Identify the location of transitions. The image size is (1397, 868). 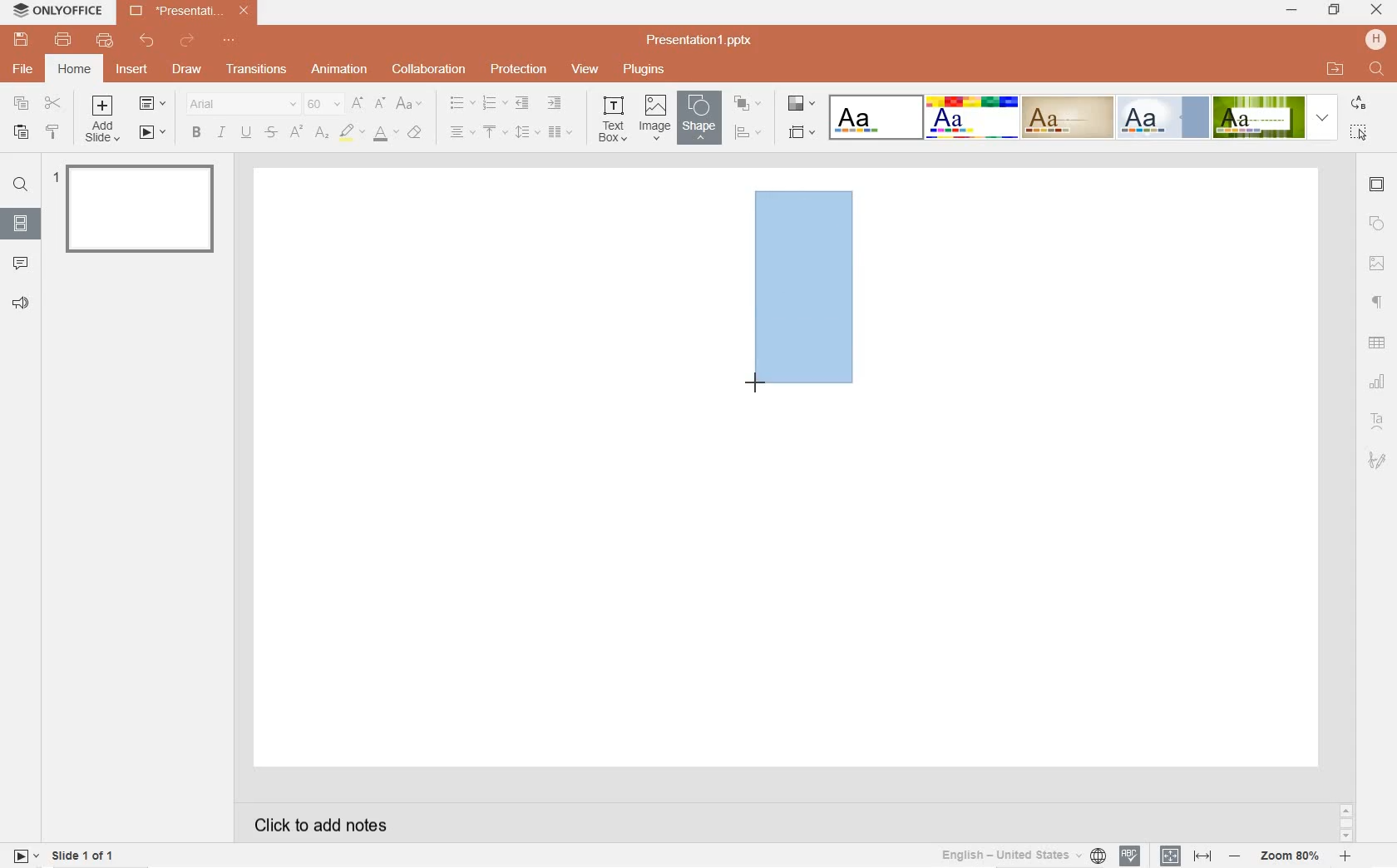
(254, 70).